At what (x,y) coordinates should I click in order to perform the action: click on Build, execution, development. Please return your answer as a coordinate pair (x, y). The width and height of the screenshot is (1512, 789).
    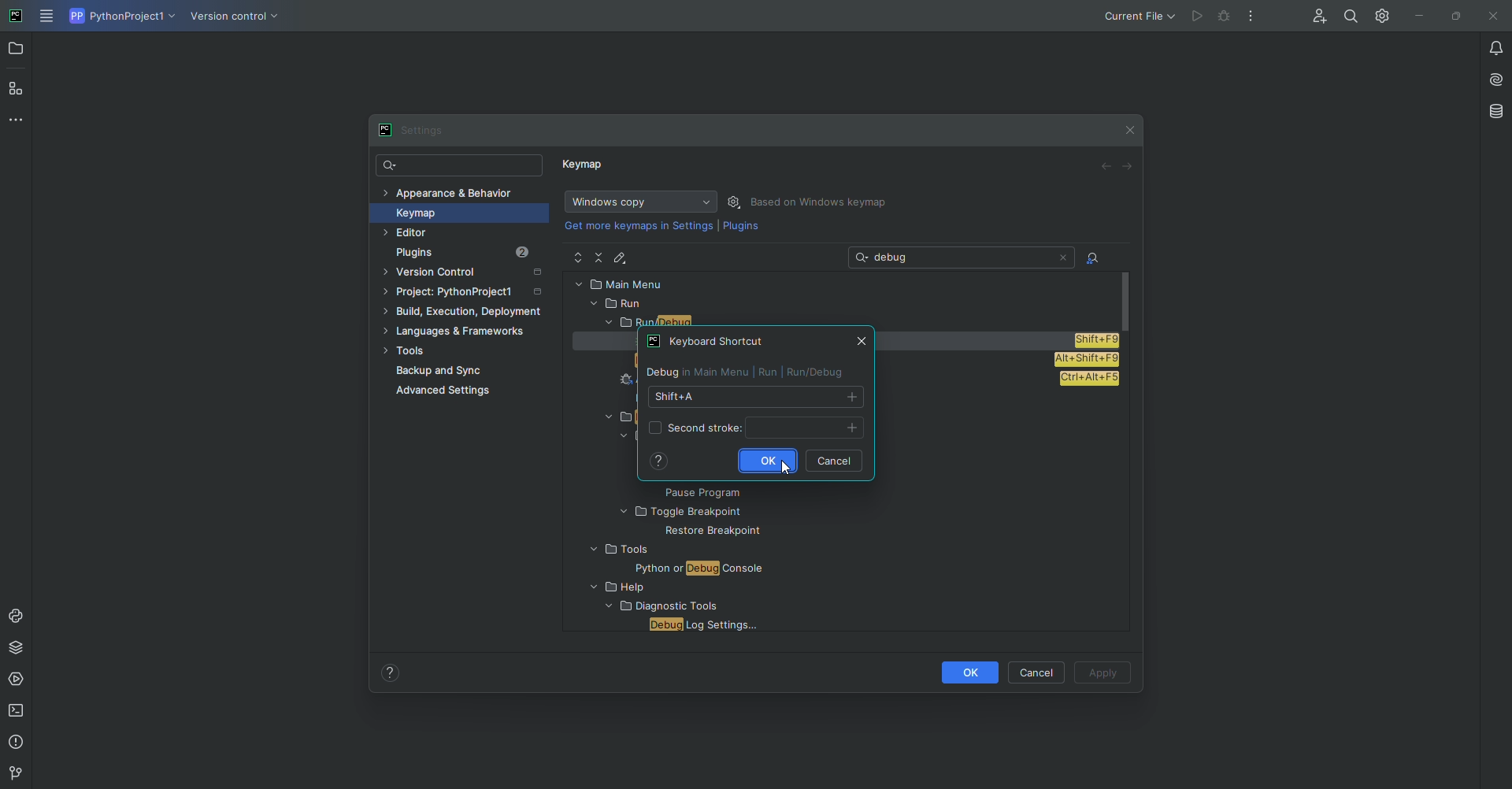
    Looking at the image, I should click on (467, 314).